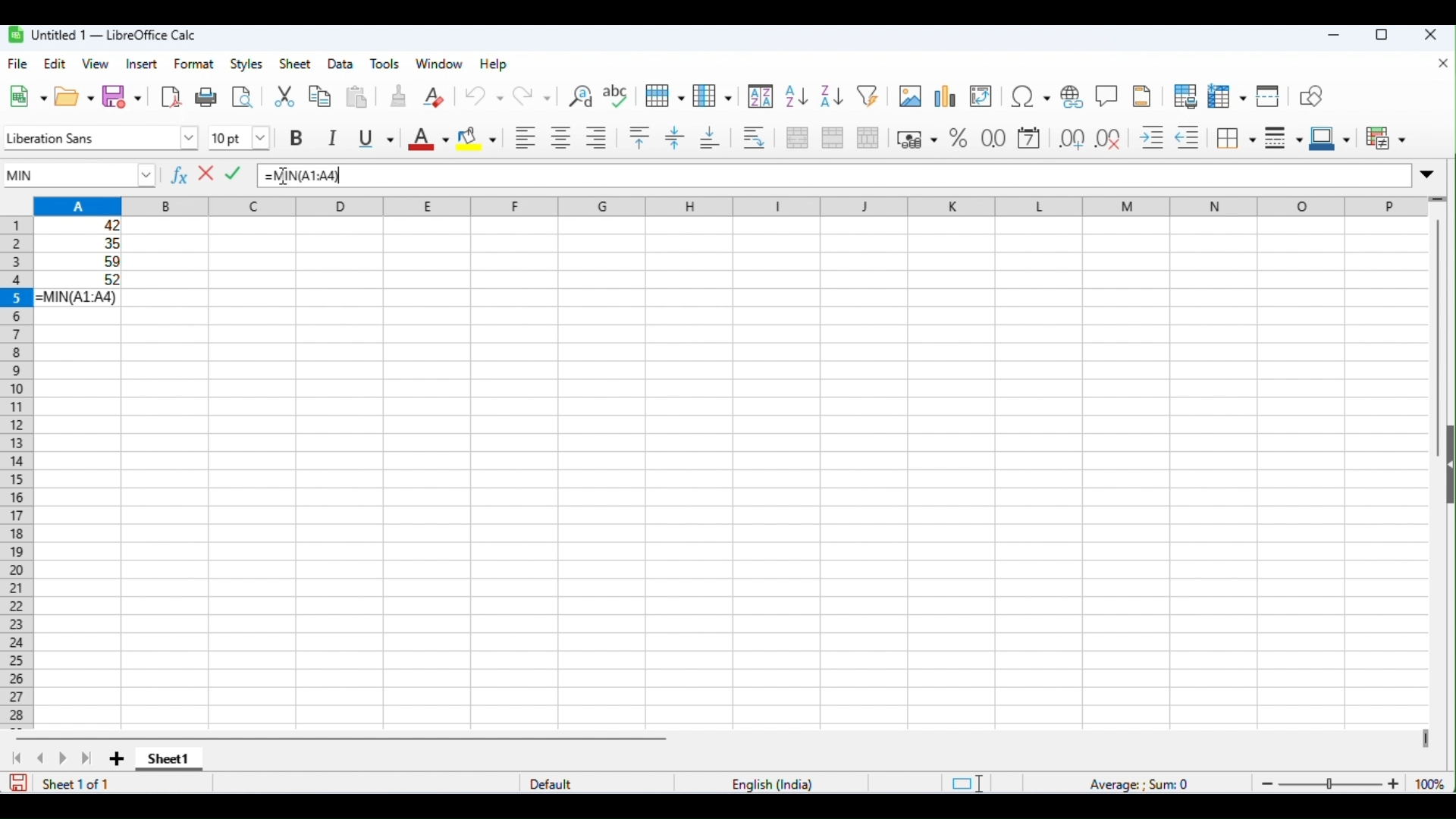  Describe the element at coordinates (79, 783) in the screenshot. I see `sheet 1 of 1` at that location.